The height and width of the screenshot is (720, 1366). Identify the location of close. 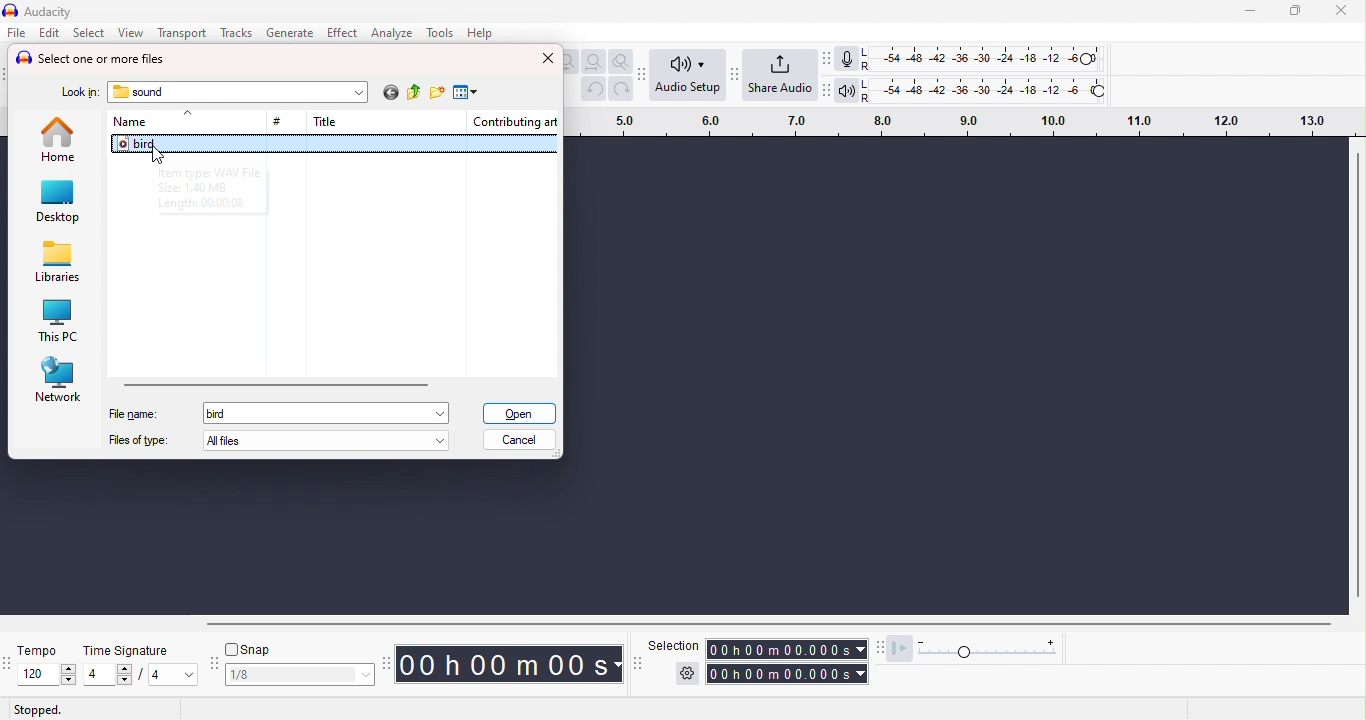
(548, 58).